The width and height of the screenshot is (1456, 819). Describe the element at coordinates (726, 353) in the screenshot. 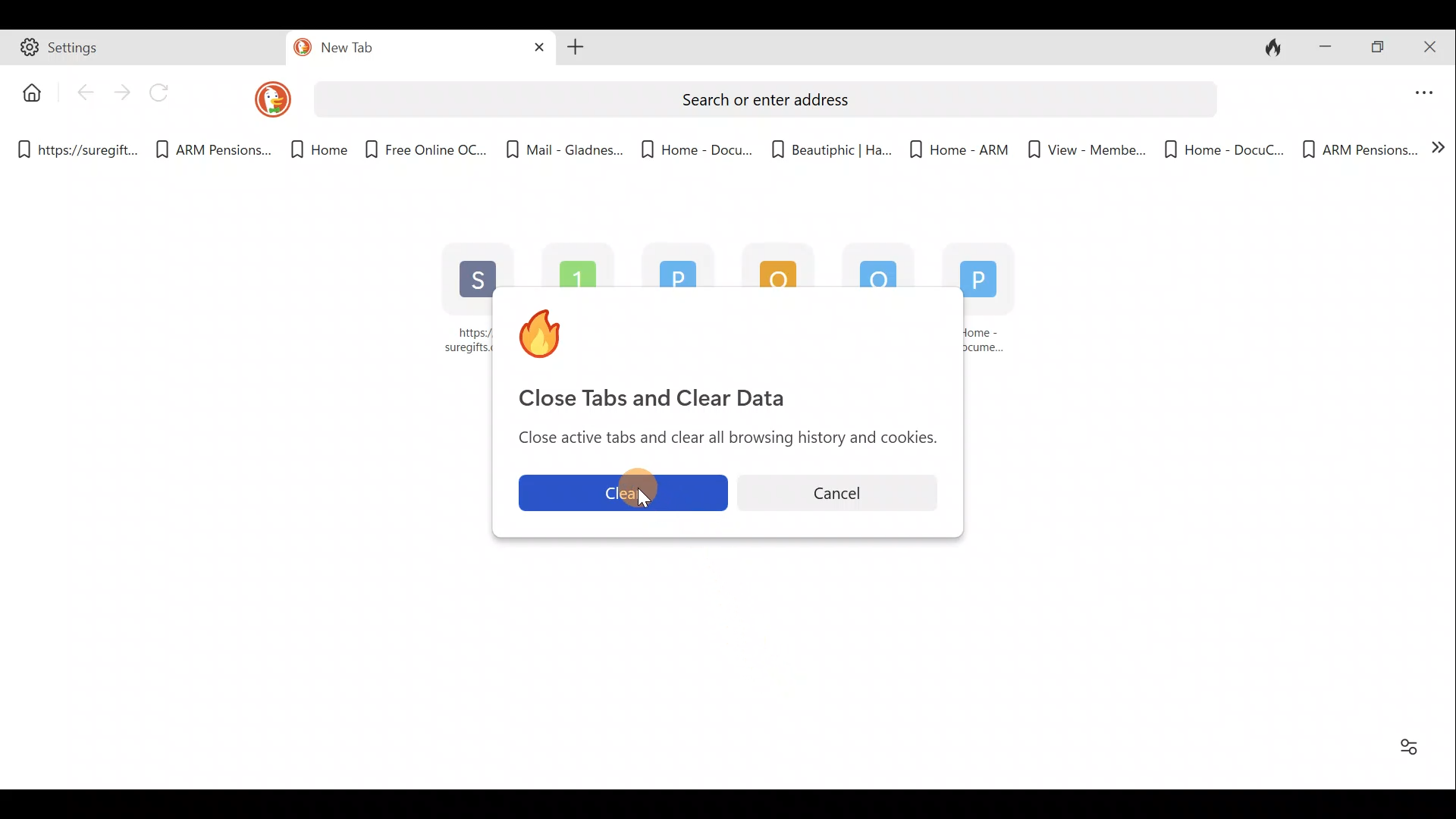

I see `Close tabs and clear data` at that location.